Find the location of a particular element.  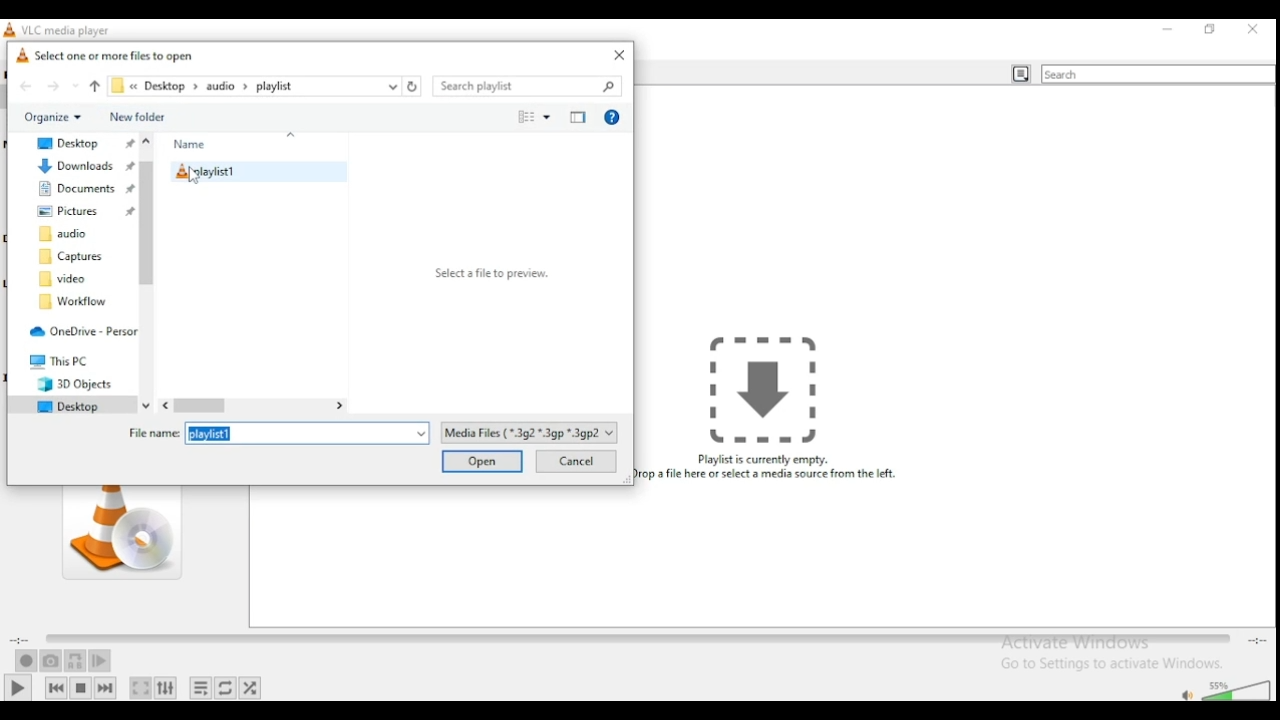

forward is located at coordinates (54, 87).